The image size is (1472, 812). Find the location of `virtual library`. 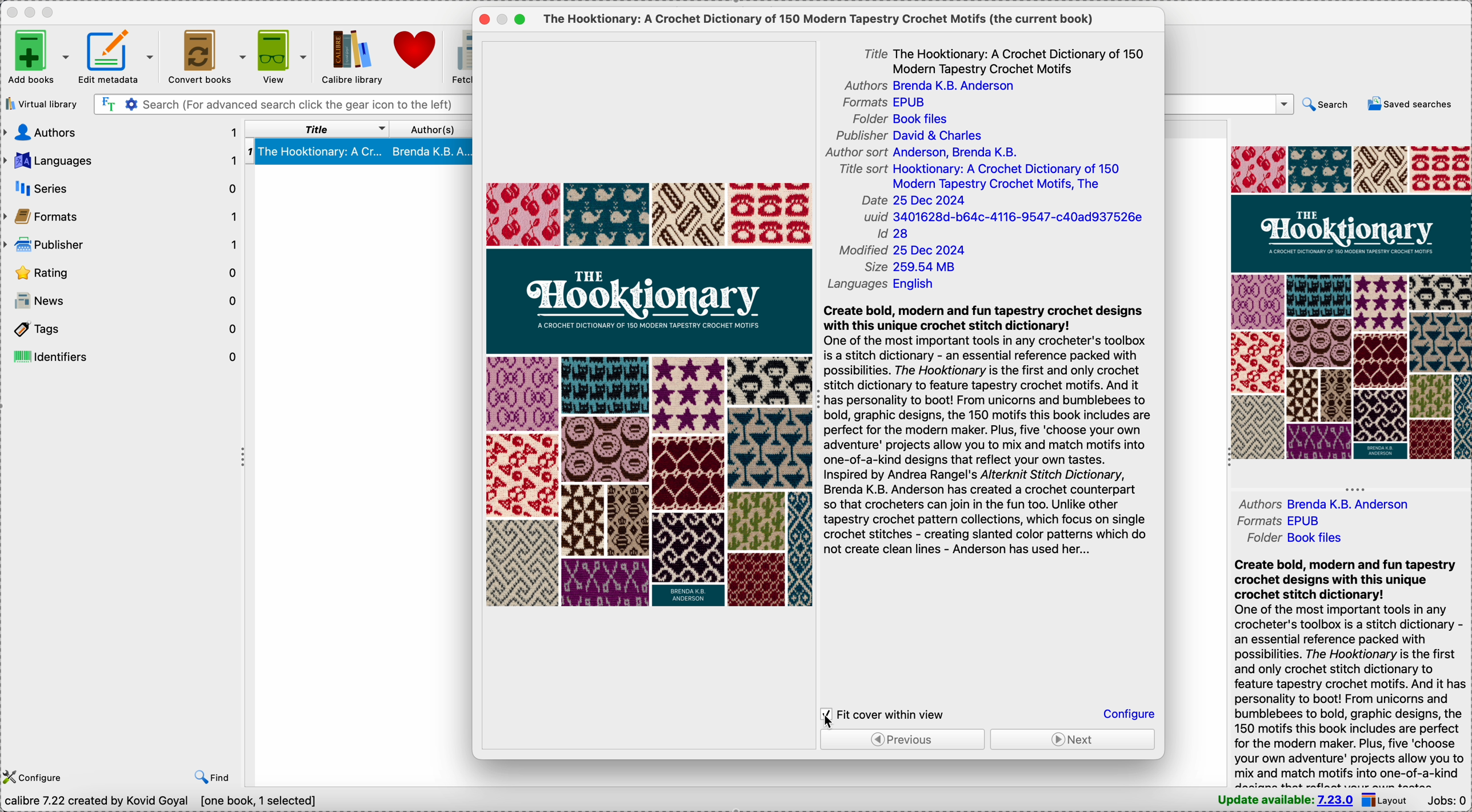

virtual library is located at coordinates (41, 105).